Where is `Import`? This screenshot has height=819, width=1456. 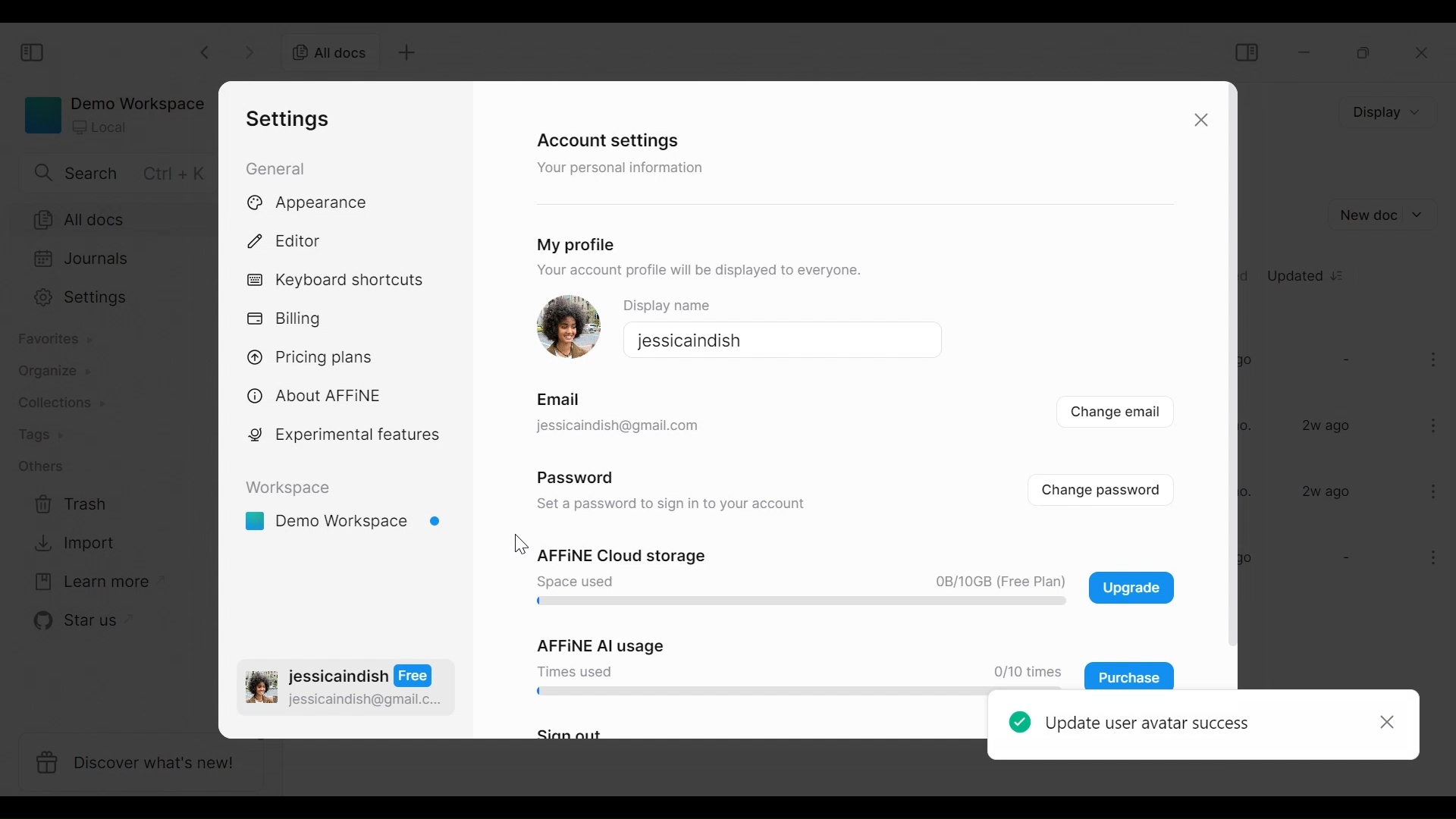
Import is located at coordinates (69, 545).